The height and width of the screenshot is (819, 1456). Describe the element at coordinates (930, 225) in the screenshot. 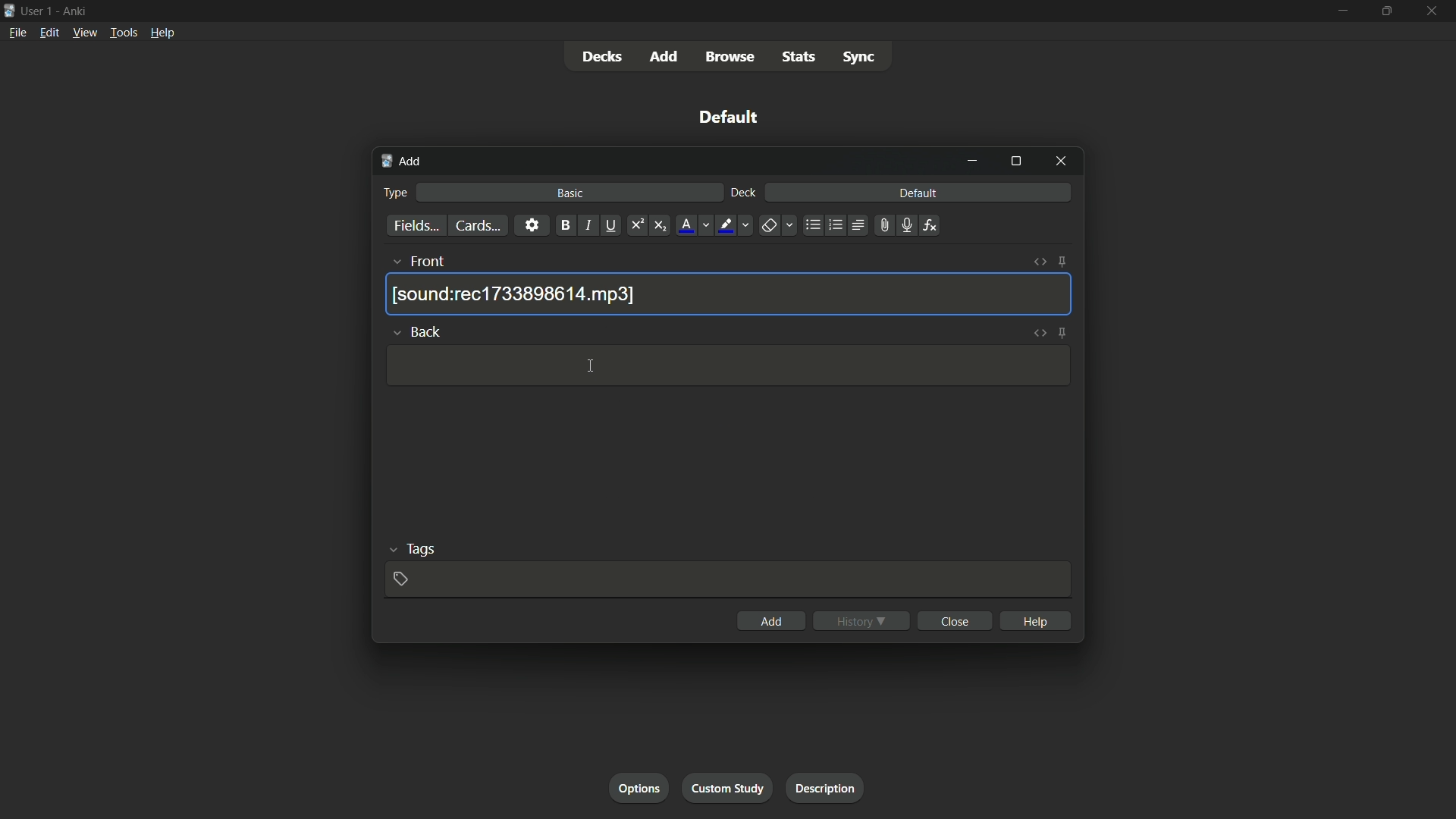

I see `equations` at that location.